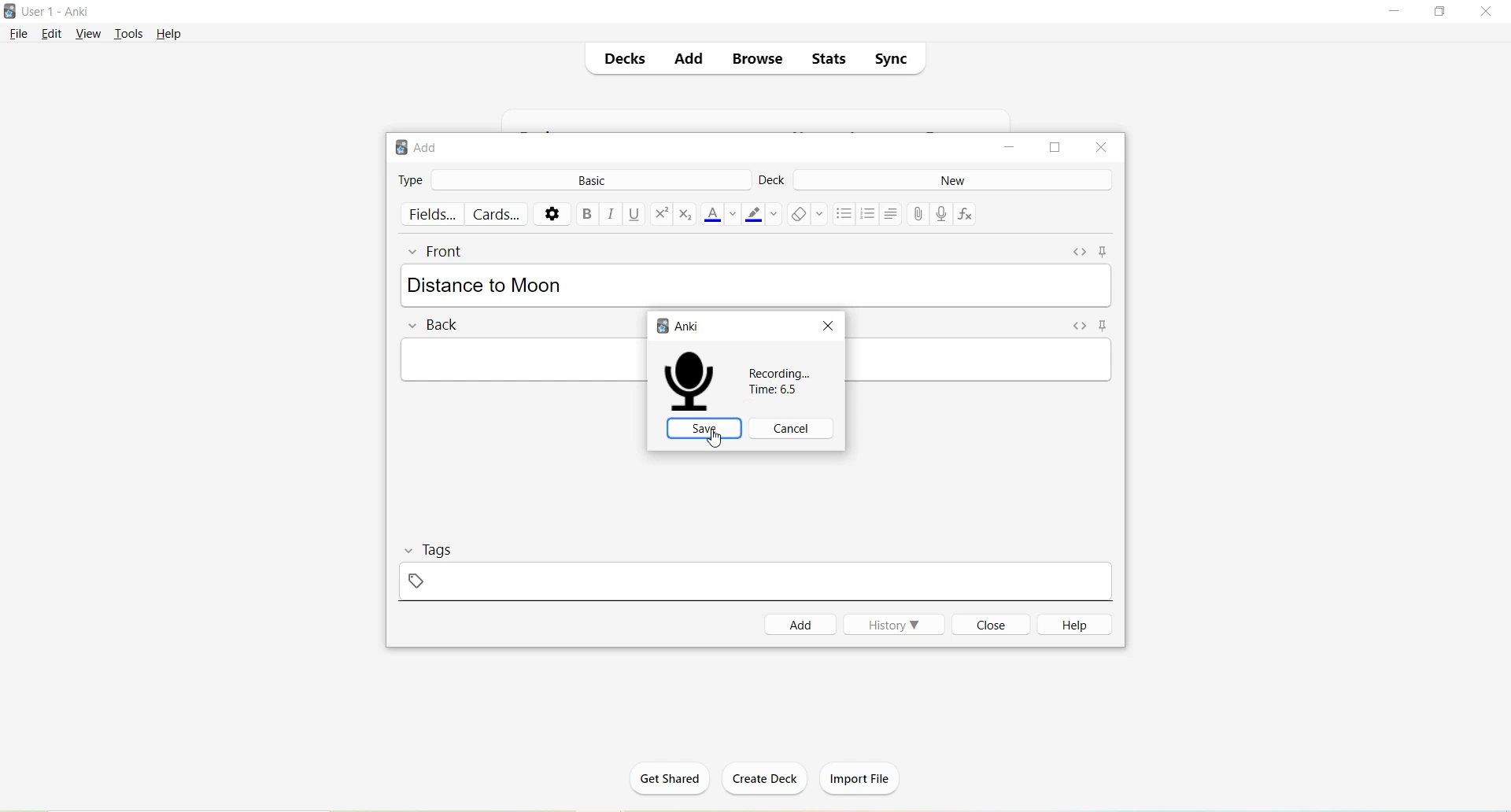  I want to click on Add, so click(686, 60).